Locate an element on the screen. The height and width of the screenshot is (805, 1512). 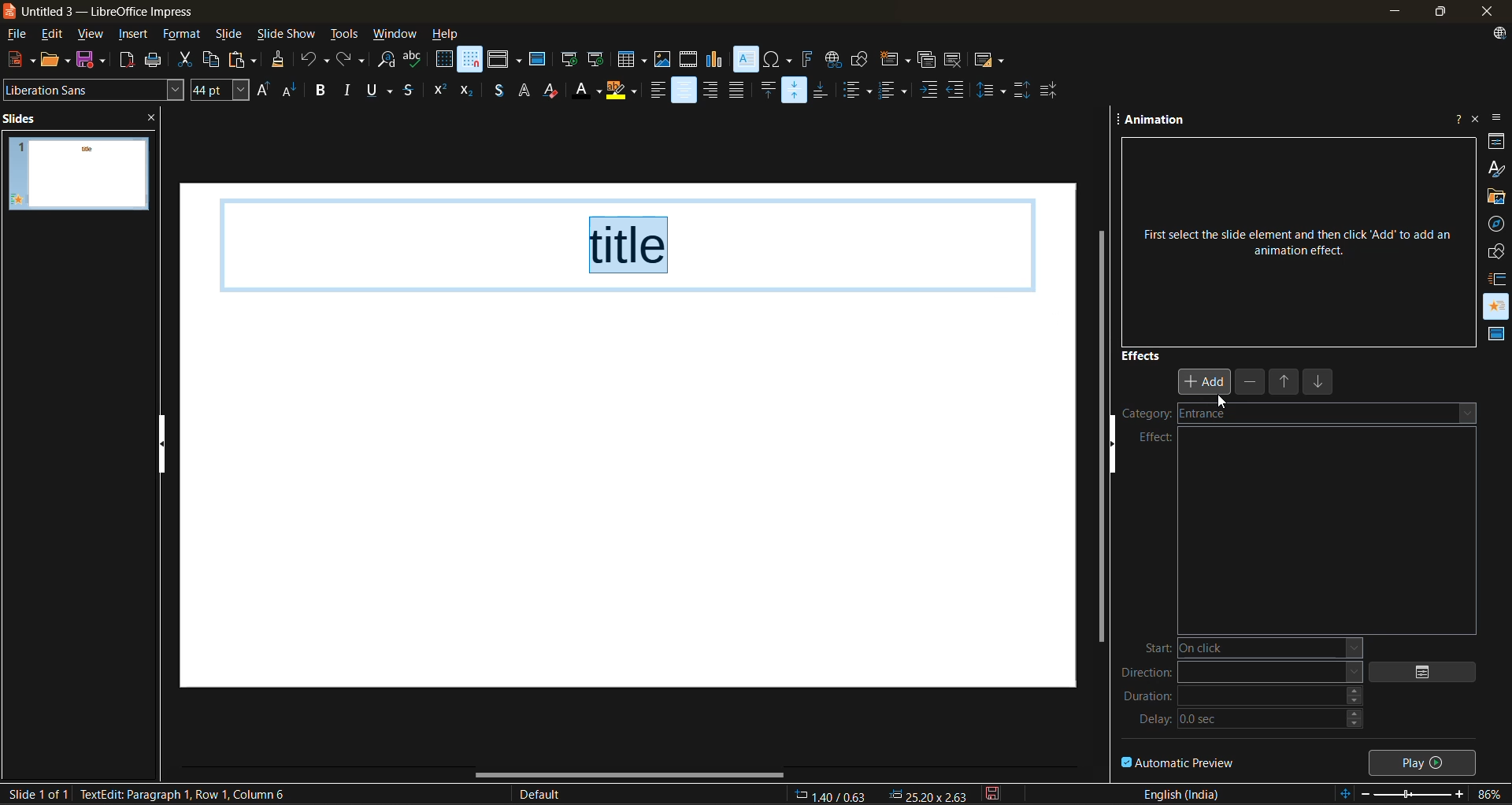
animation is located at coordinates (1497, 302).